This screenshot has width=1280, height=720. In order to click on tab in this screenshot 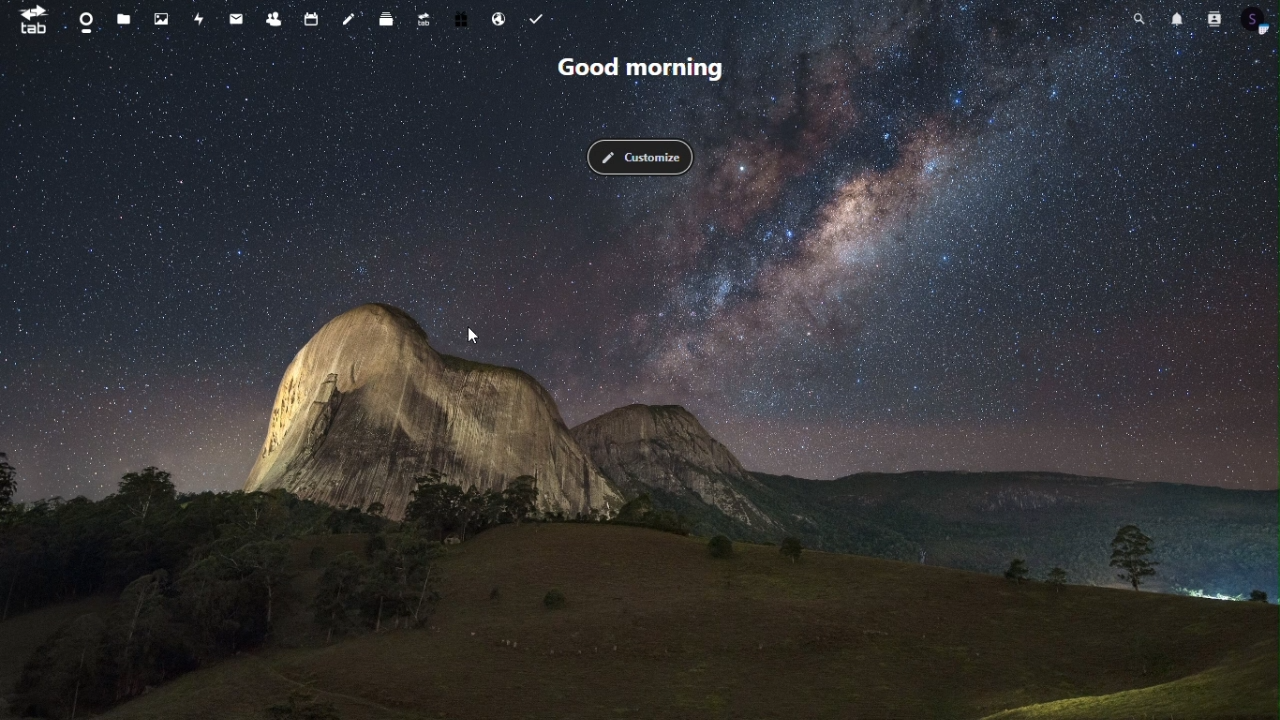, I will do `click(30, 20)`.